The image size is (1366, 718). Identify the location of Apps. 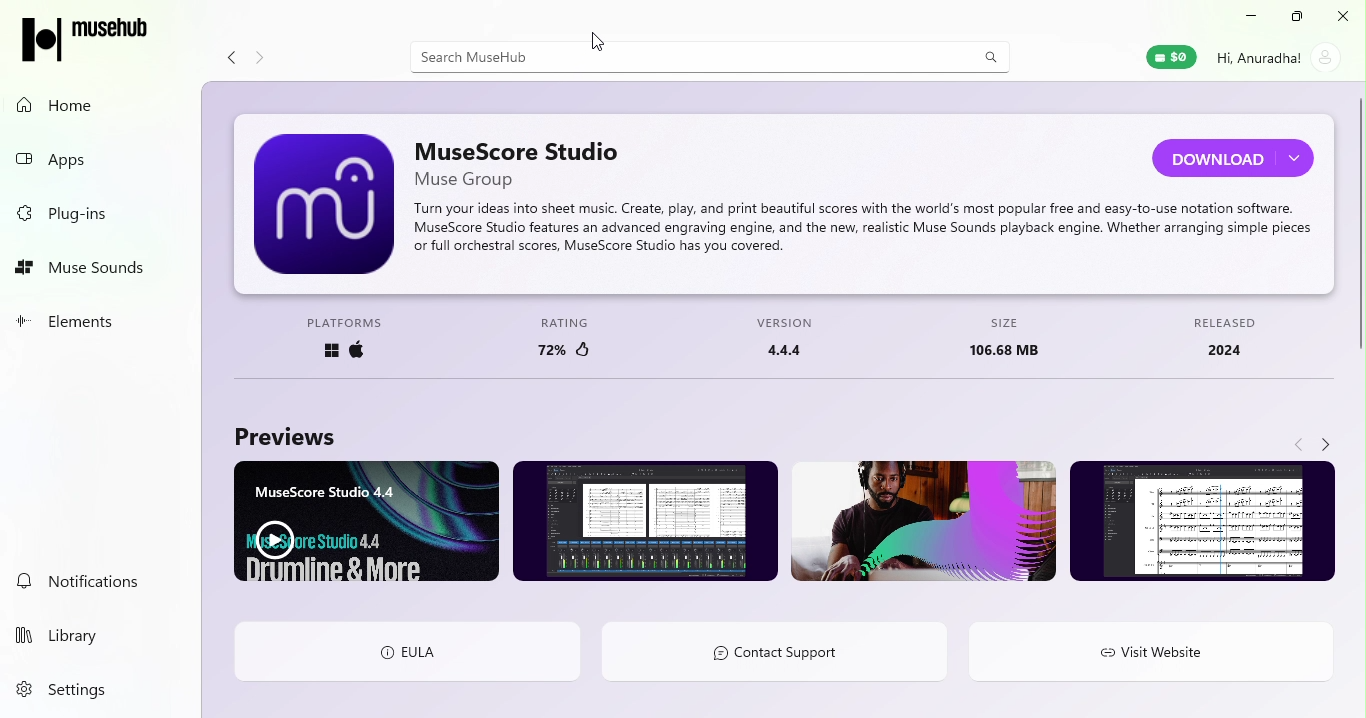
(97, 159).